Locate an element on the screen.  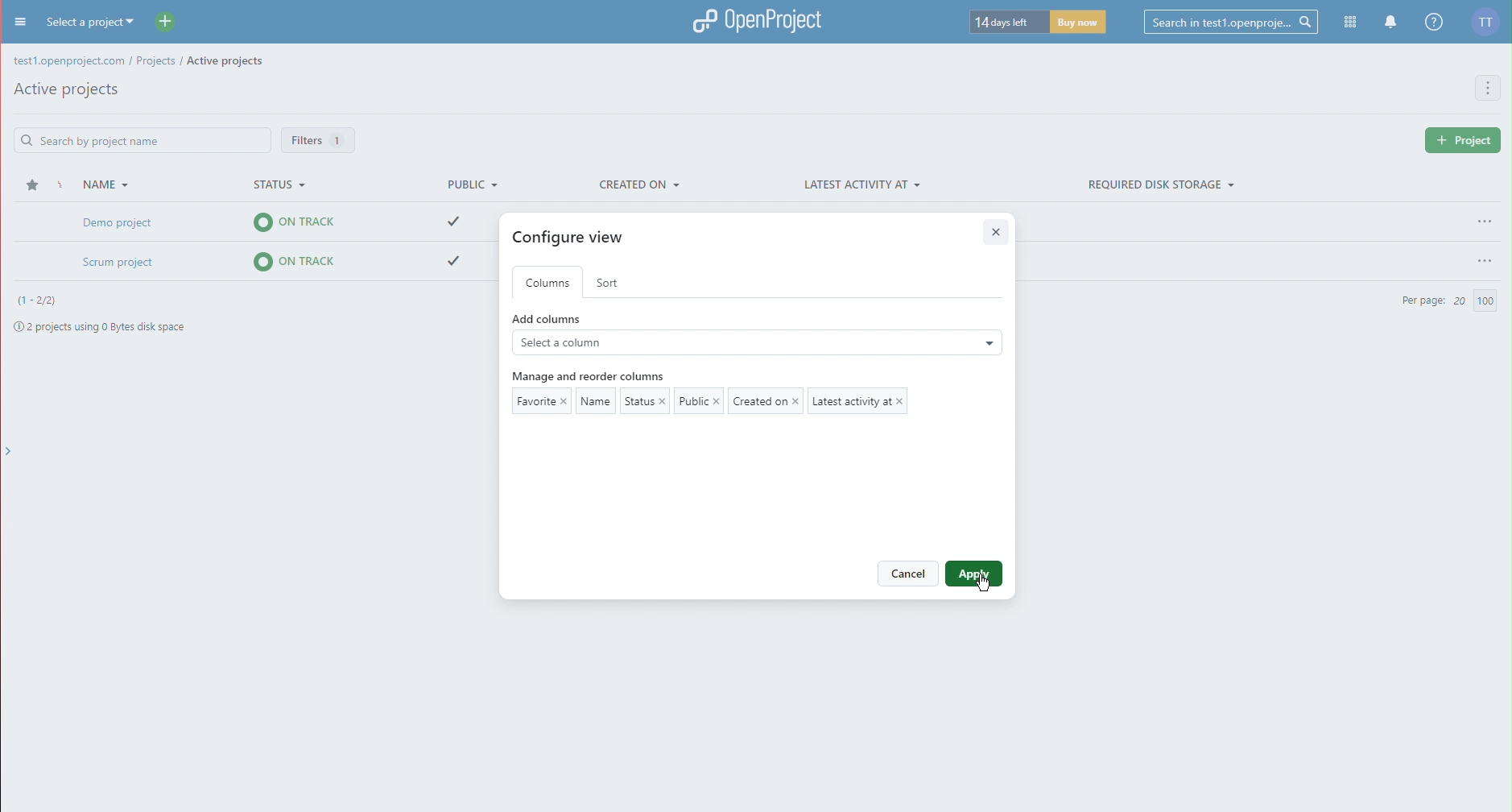
Projects number is located at coordinates (40, 300).